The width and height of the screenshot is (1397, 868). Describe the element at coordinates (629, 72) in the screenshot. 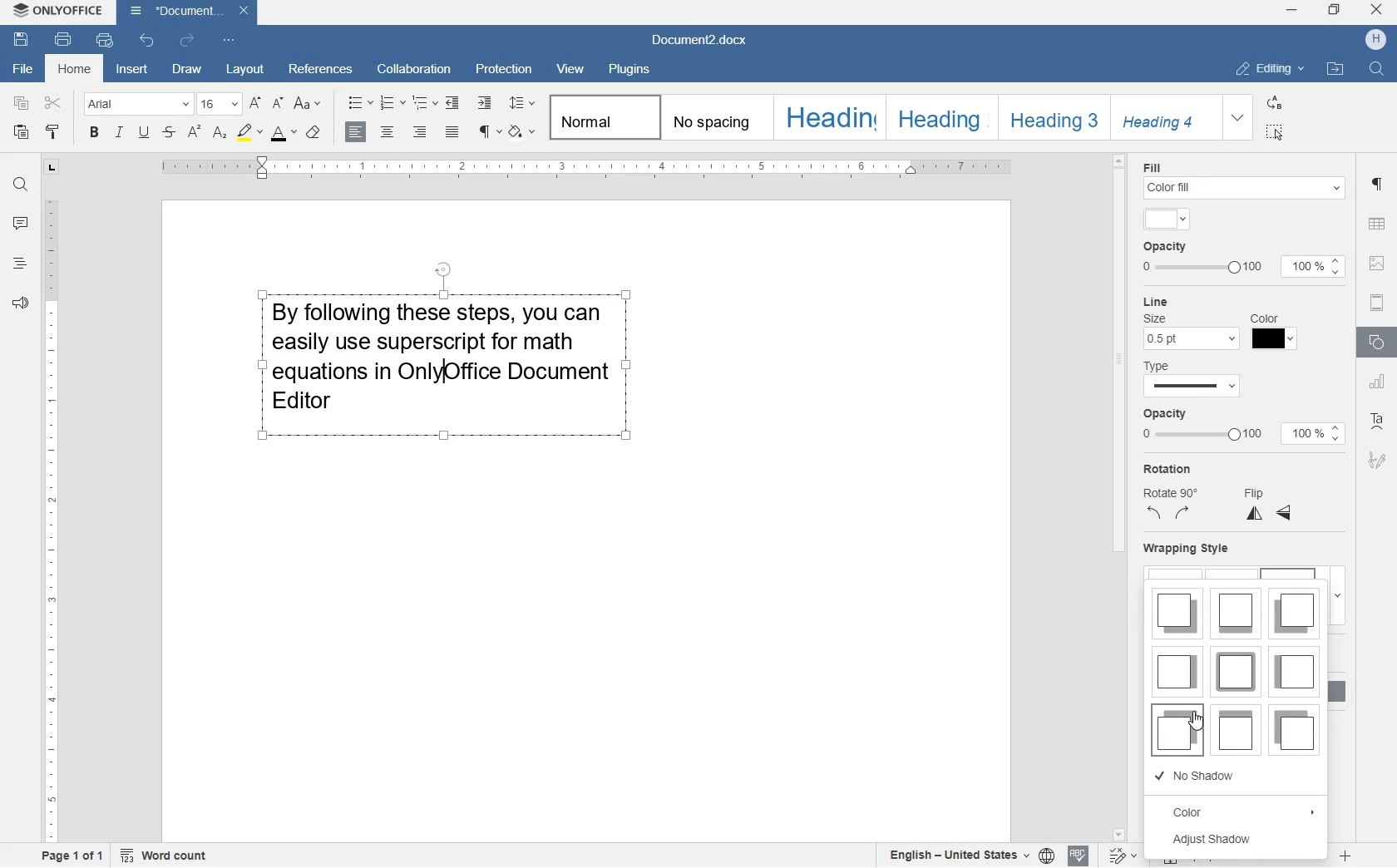

I see `plugins` at that location.